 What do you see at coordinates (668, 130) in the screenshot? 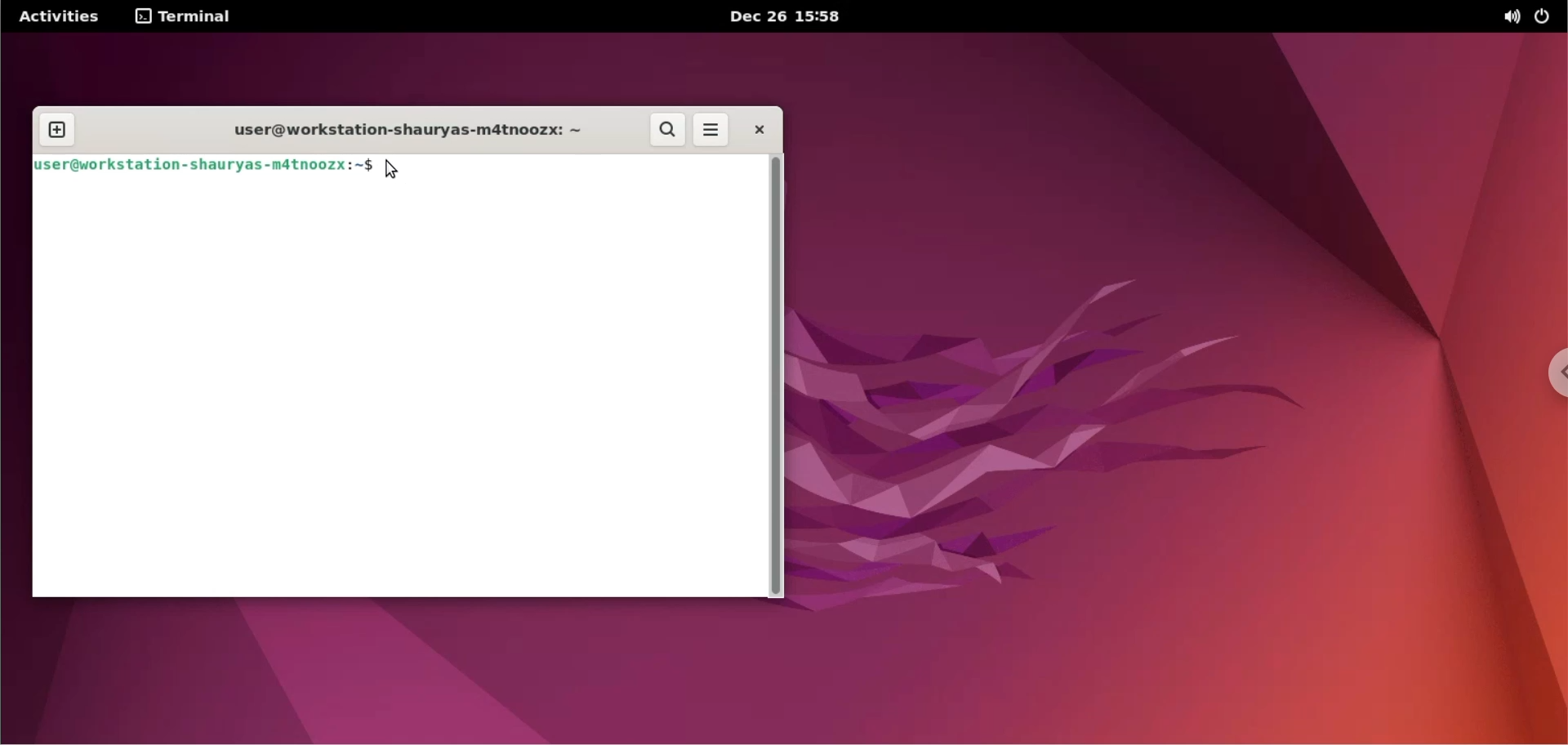
I see `search` at bounding box center [668, 130].